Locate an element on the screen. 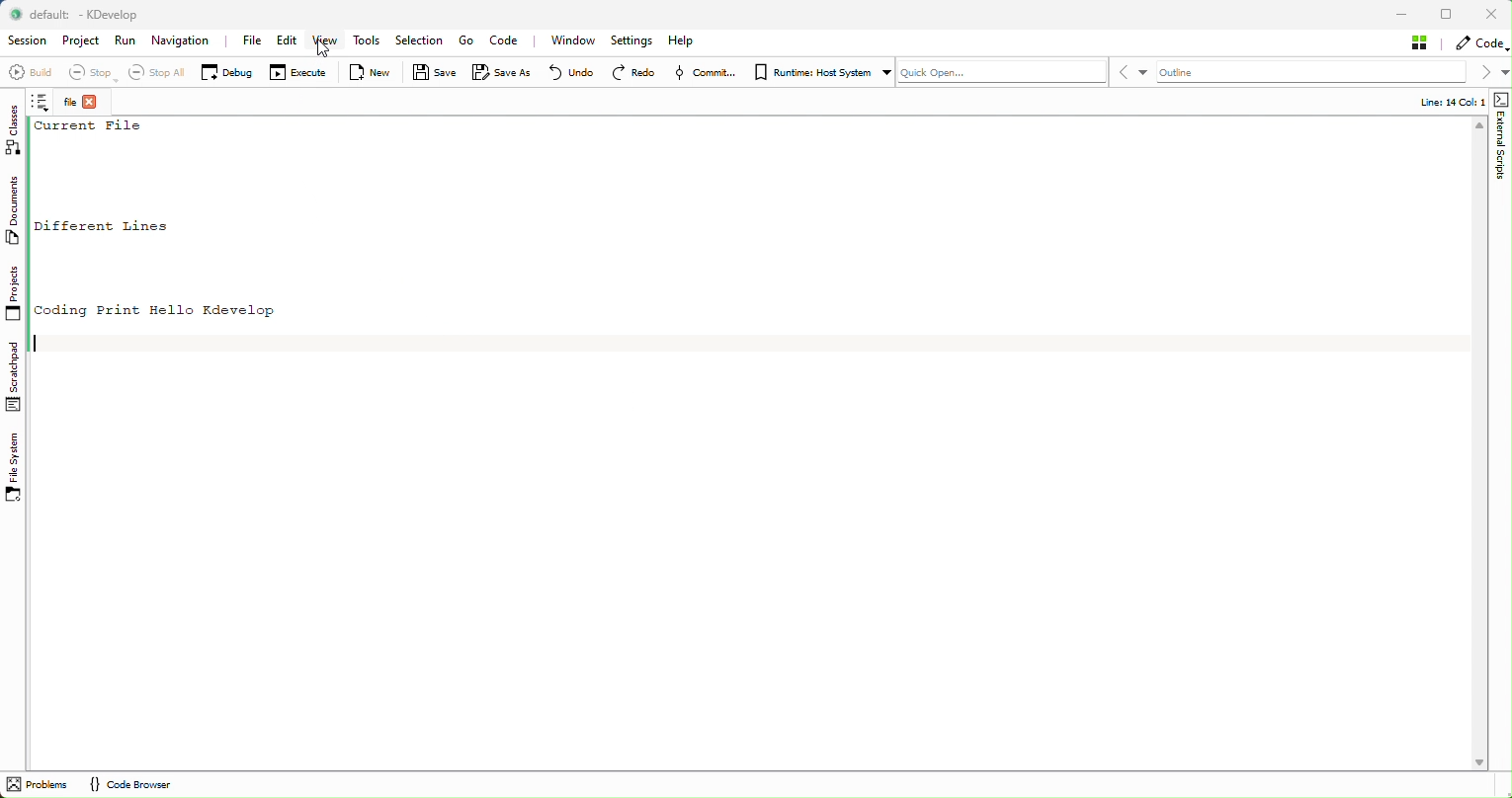 The width and height of the screenshot is (1512, 798). Code Browser is located at coordinates (128, 785).